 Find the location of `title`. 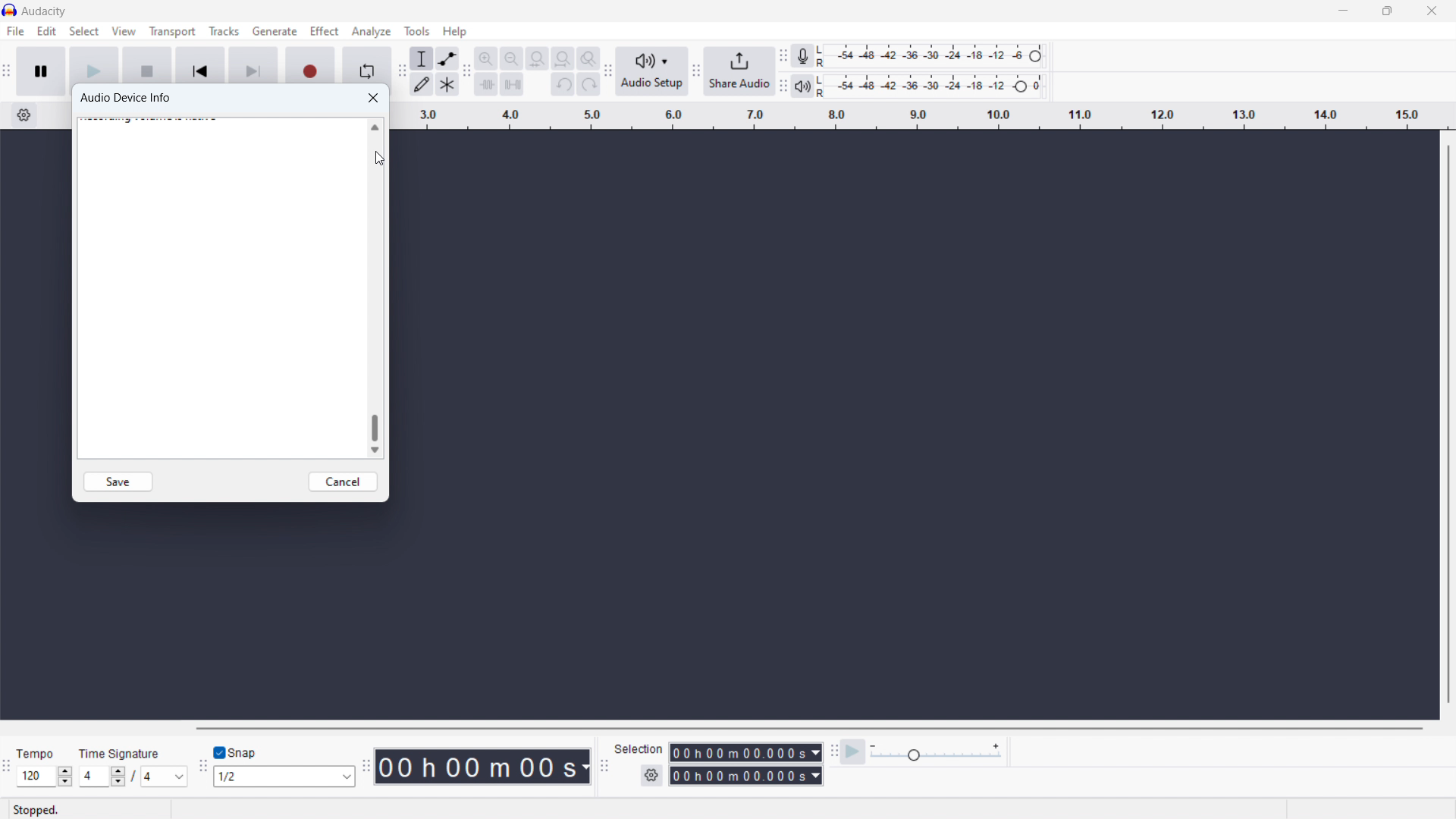

title is located at coordinates (45, 11).